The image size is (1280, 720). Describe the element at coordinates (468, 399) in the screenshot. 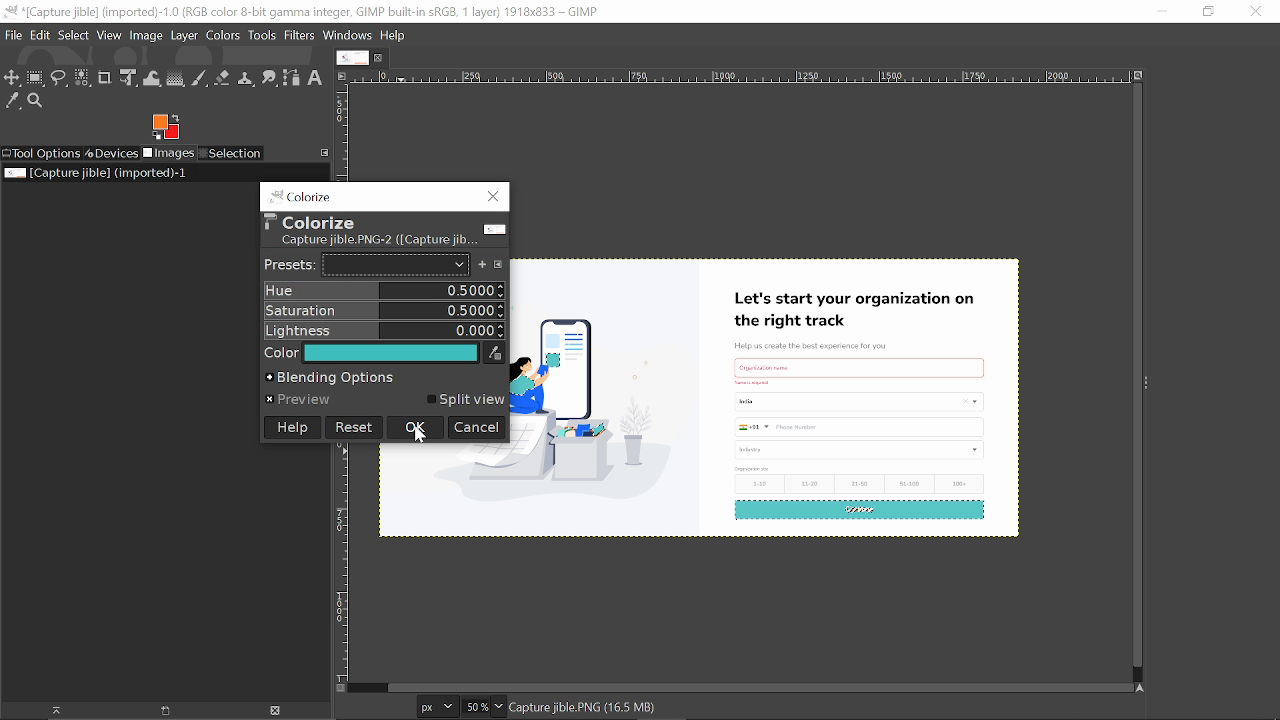

I see `split view` at that location.